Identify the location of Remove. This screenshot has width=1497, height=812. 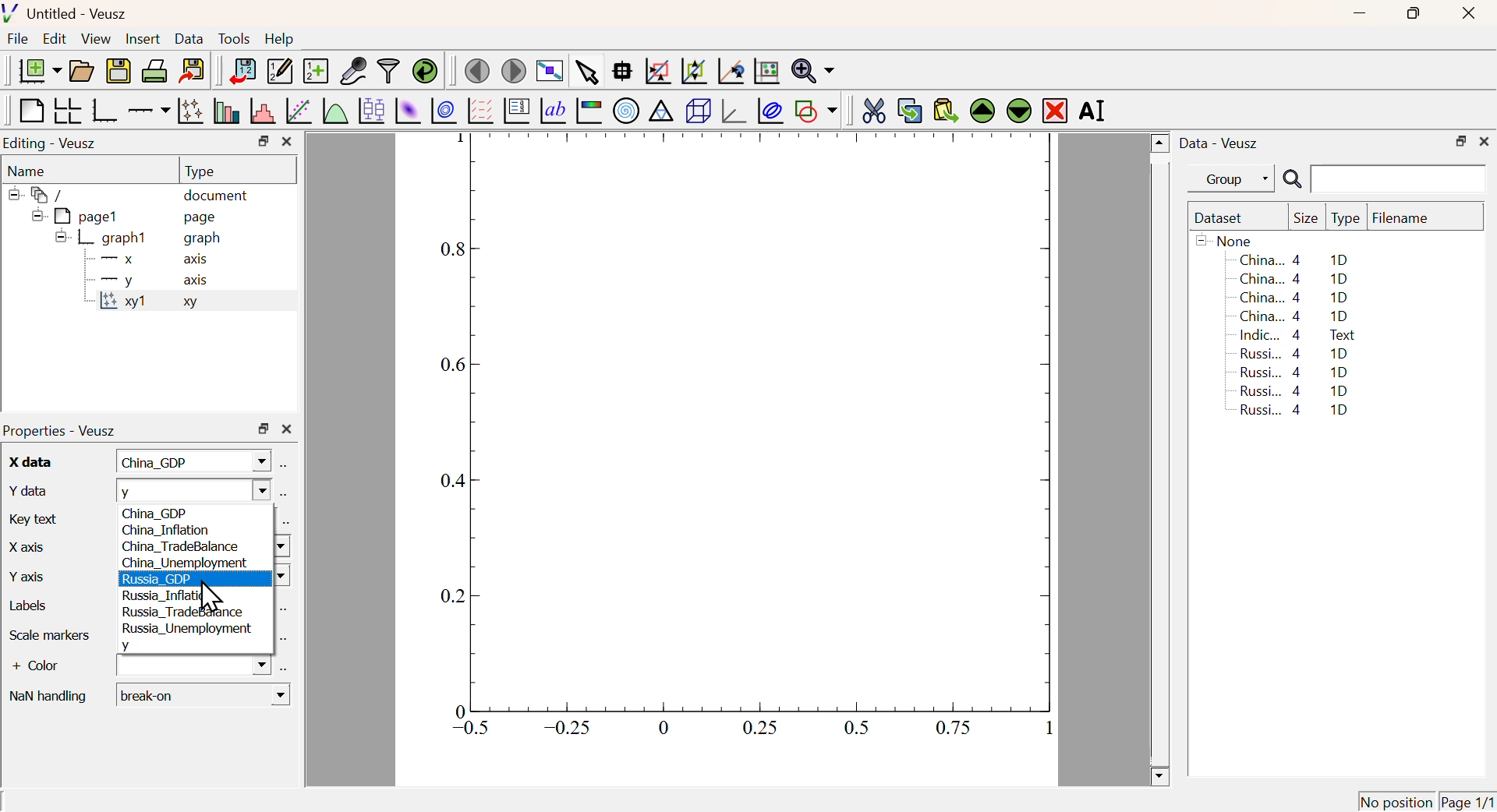
(1056, 111).